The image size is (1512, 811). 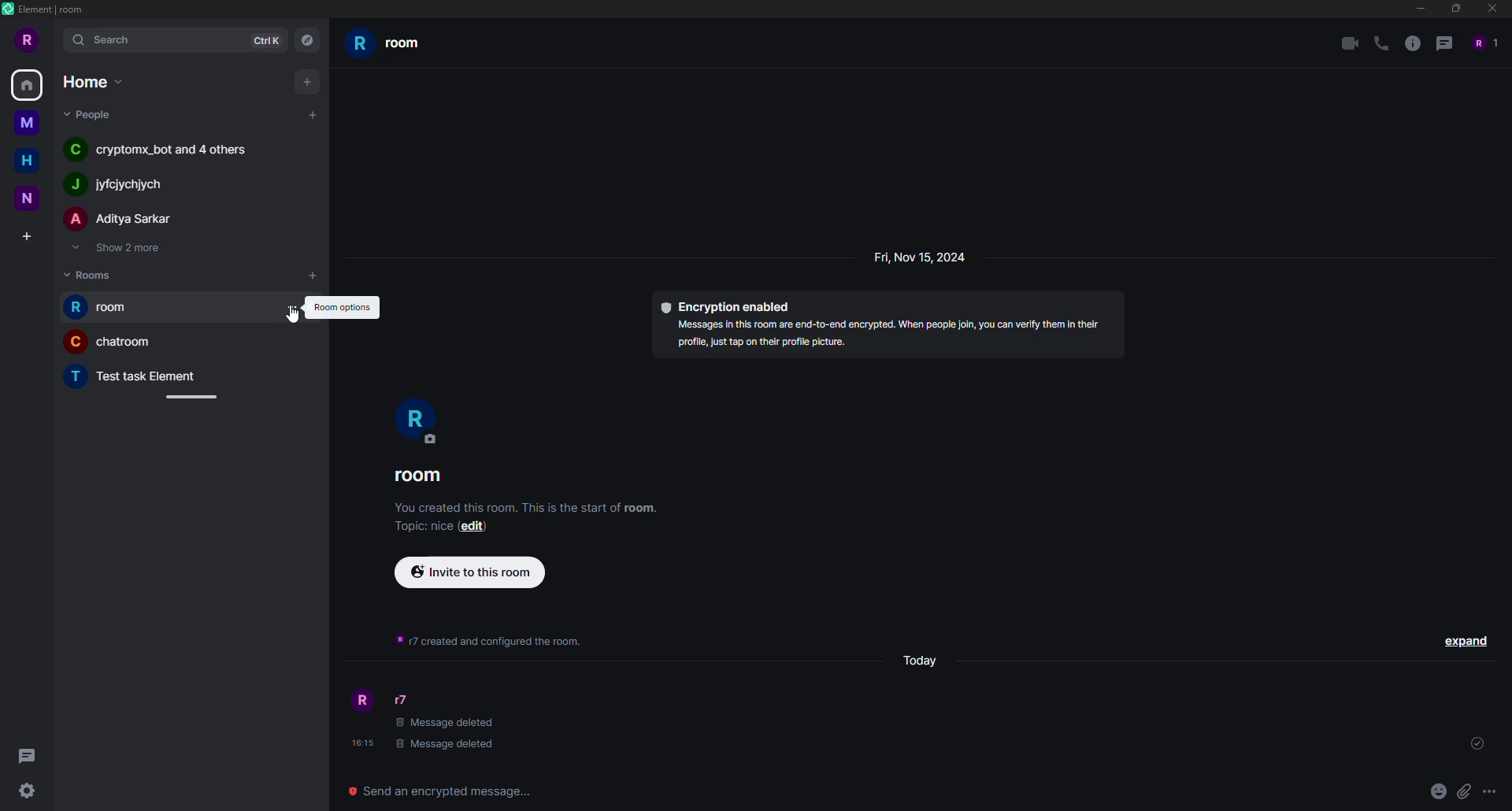 What do you see at coordinates (1489, 791) in the screenshot?
I see `more` at bounding box center [1489, 791].